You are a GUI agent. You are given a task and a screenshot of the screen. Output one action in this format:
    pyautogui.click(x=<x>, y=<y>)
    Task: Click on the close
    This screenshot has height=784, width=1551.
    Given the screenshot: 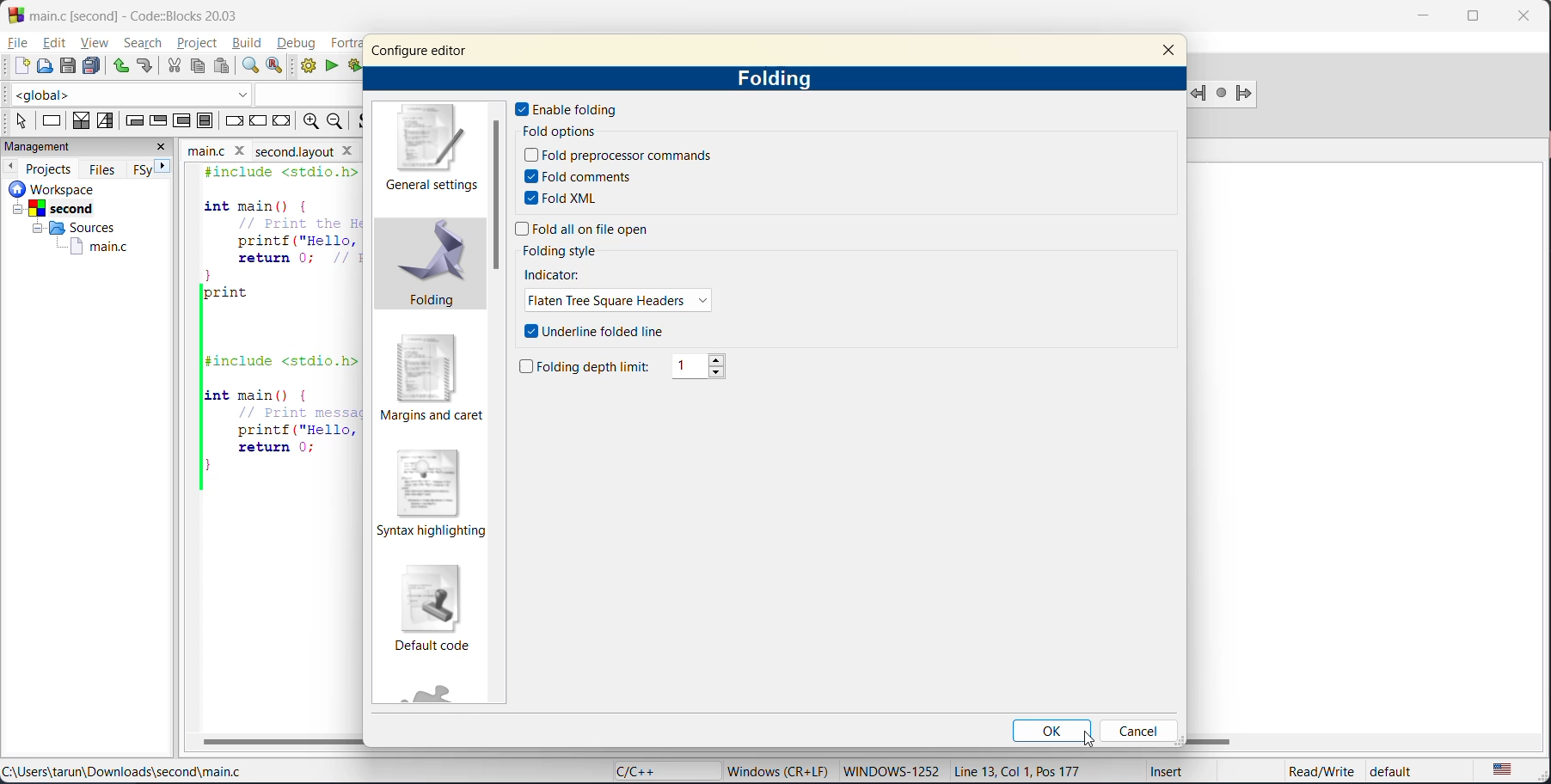 What is the action you would take?
    pyautogui.click(x=165, y=147)
    